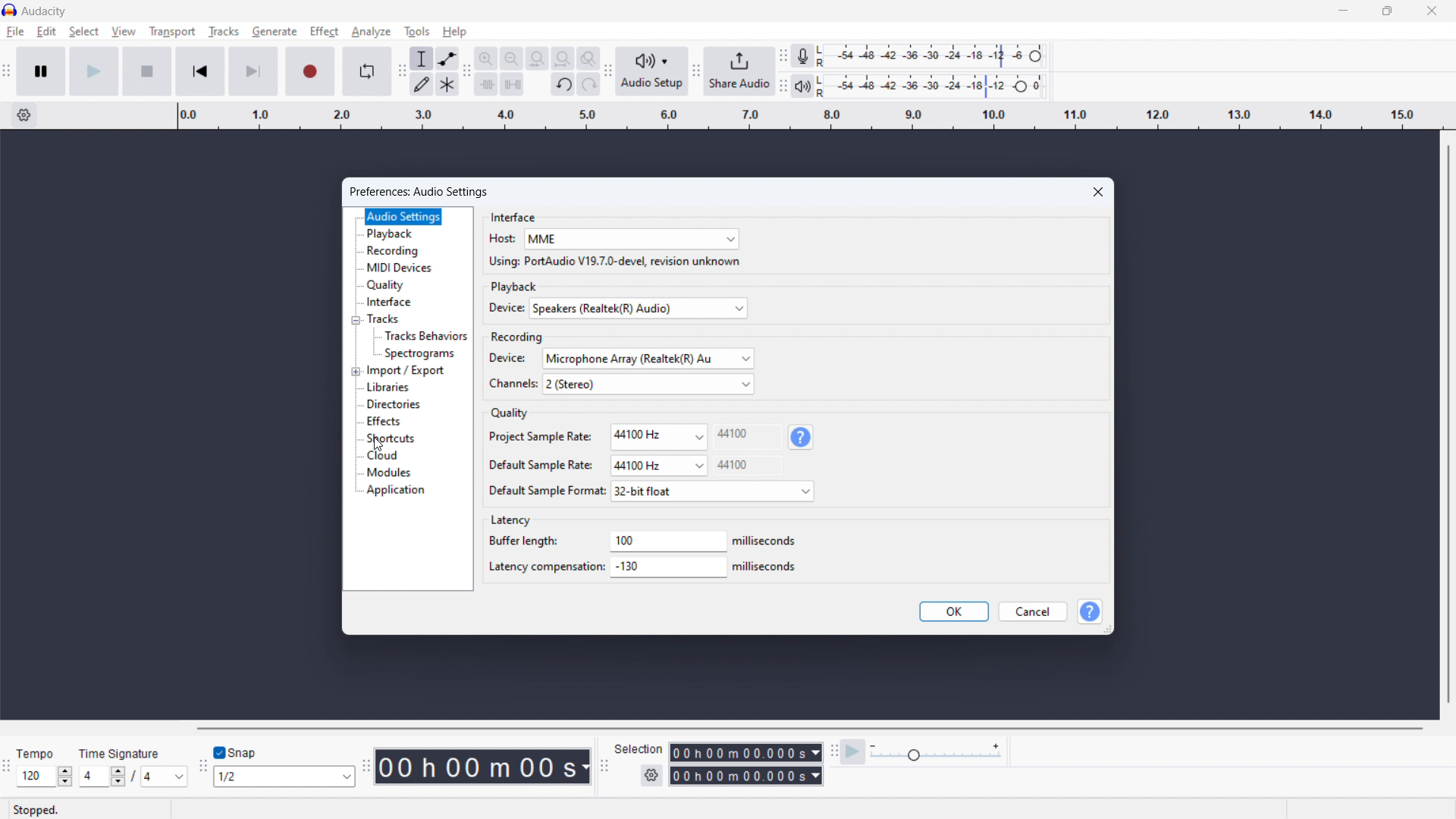  What do you see at coordinates (608, 71) in the screenshot?
I see `Enables movement of audio setup toolbar` at bounding box center [608, 71].